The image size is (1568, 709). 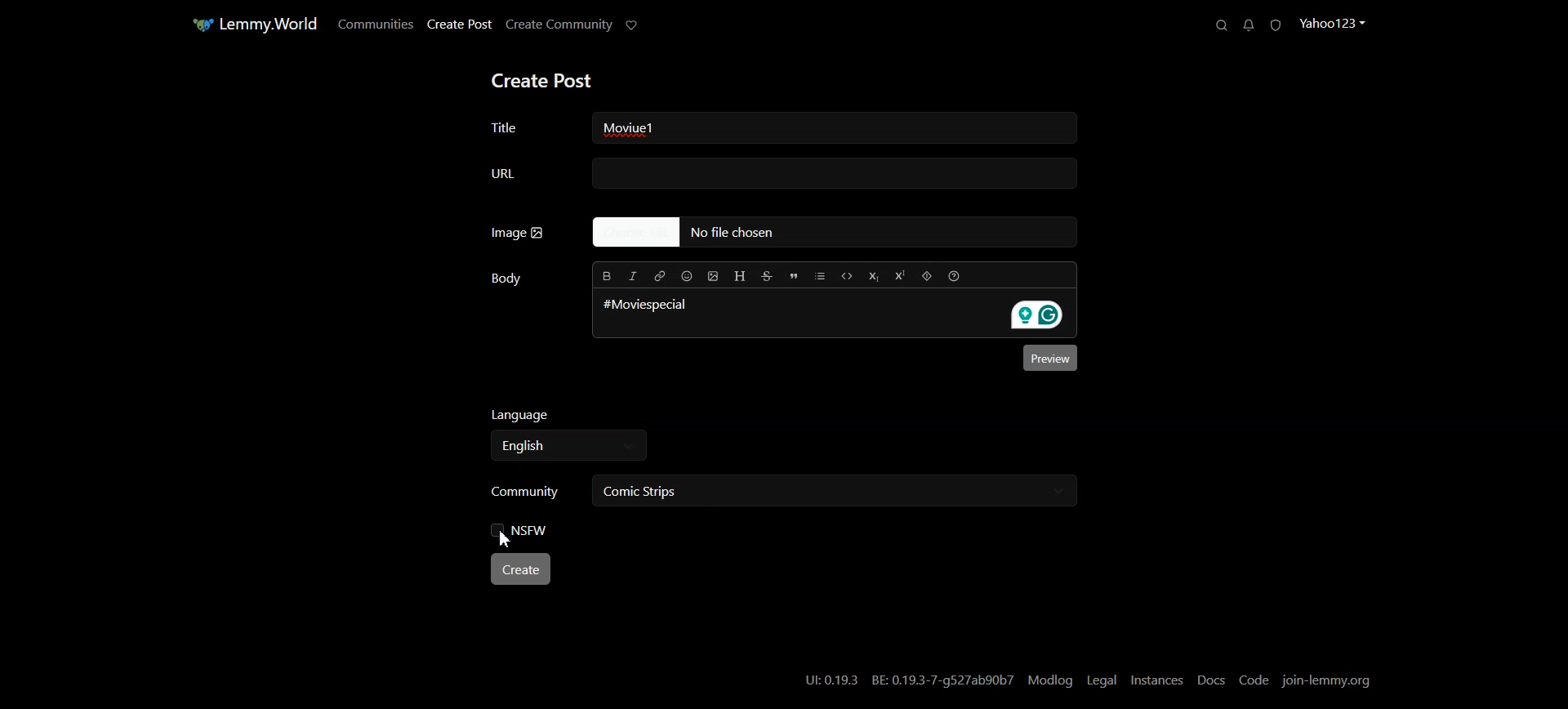 What do you see at coordinates (907, 680) in the screenshot?
I see `UI:0.19.3 BE: 0.19.3-7-g527ab90b7` at bounding box center [907, 680].